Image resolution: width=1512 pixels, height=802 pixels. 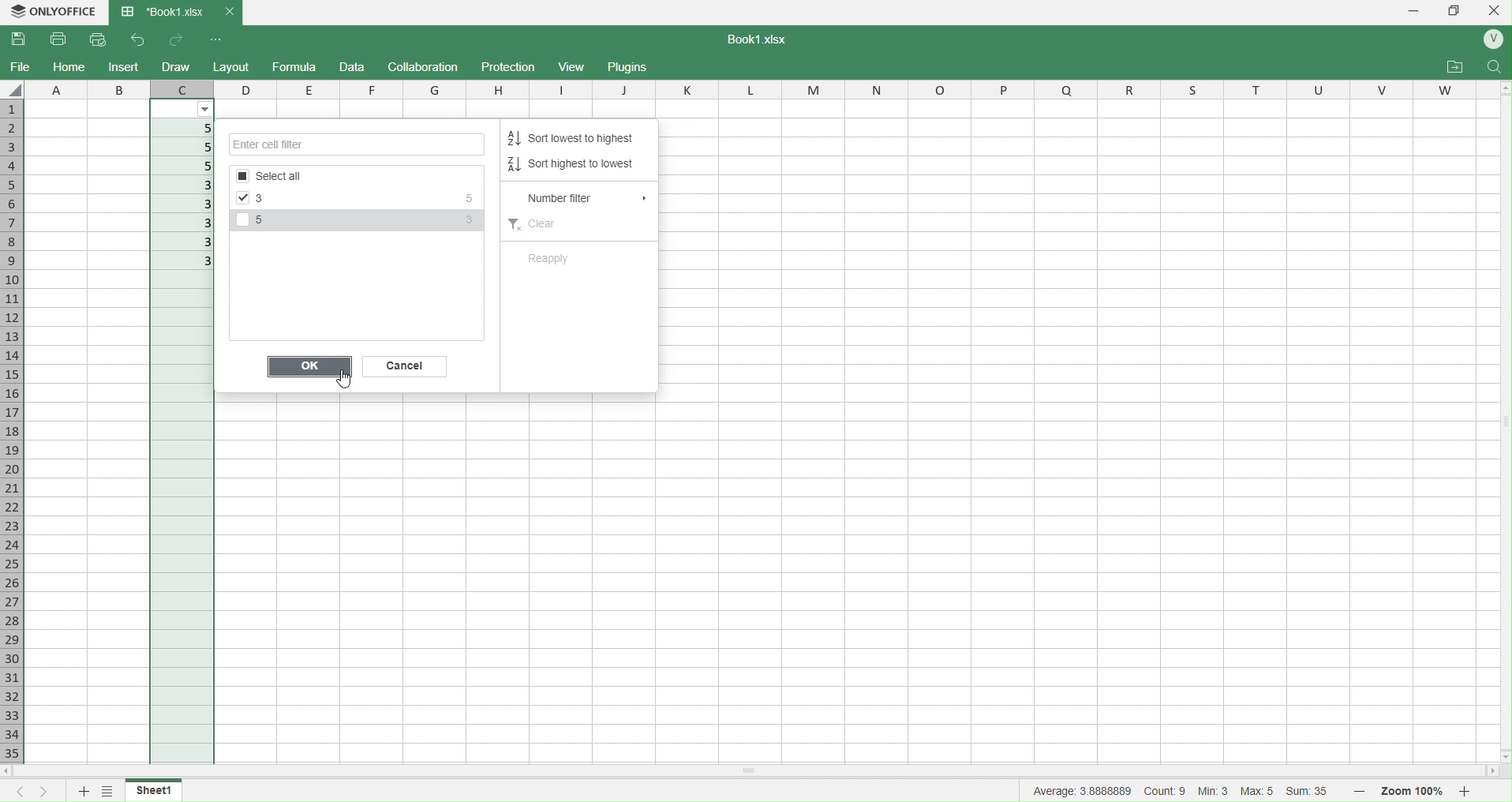 I want to click on Minimize, so click(x=1415, y=11).